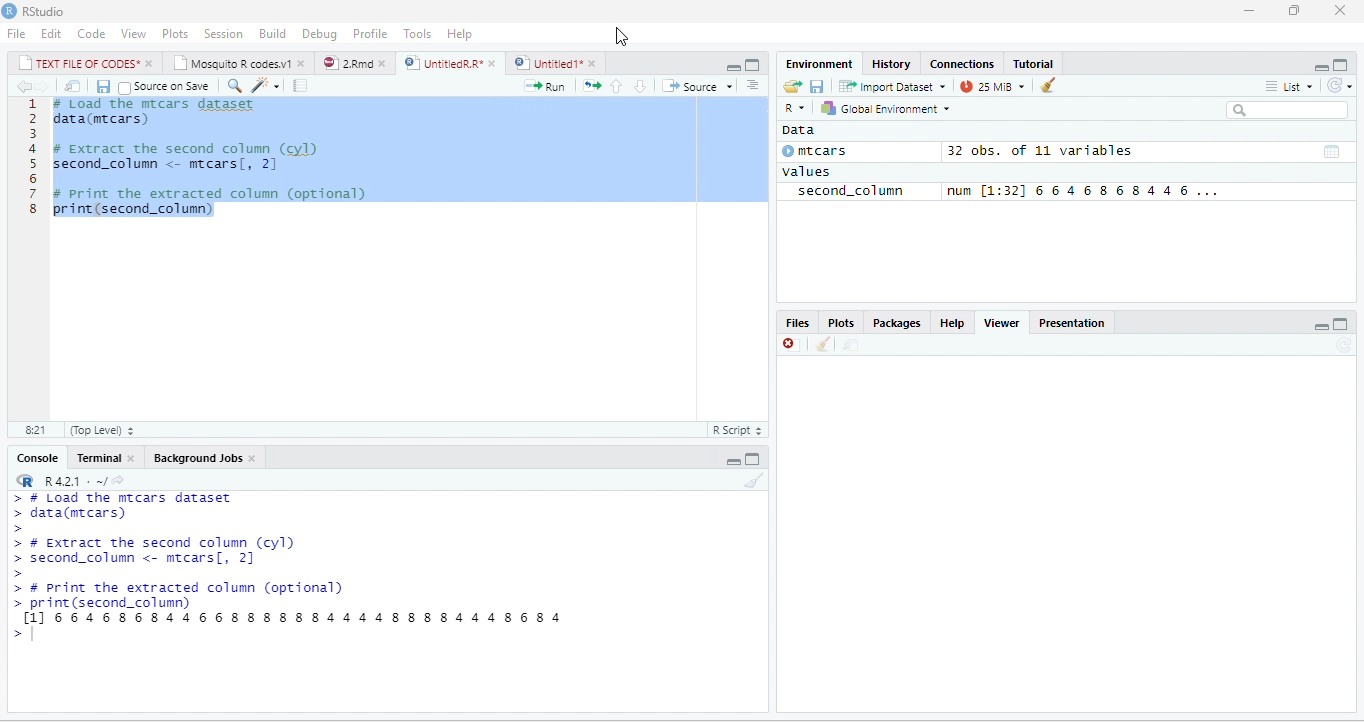 The image size is (1364, 722). What do you see at coordinates (32, 163) in the screenshot?
I see `5` at bounding box center [32, 163].